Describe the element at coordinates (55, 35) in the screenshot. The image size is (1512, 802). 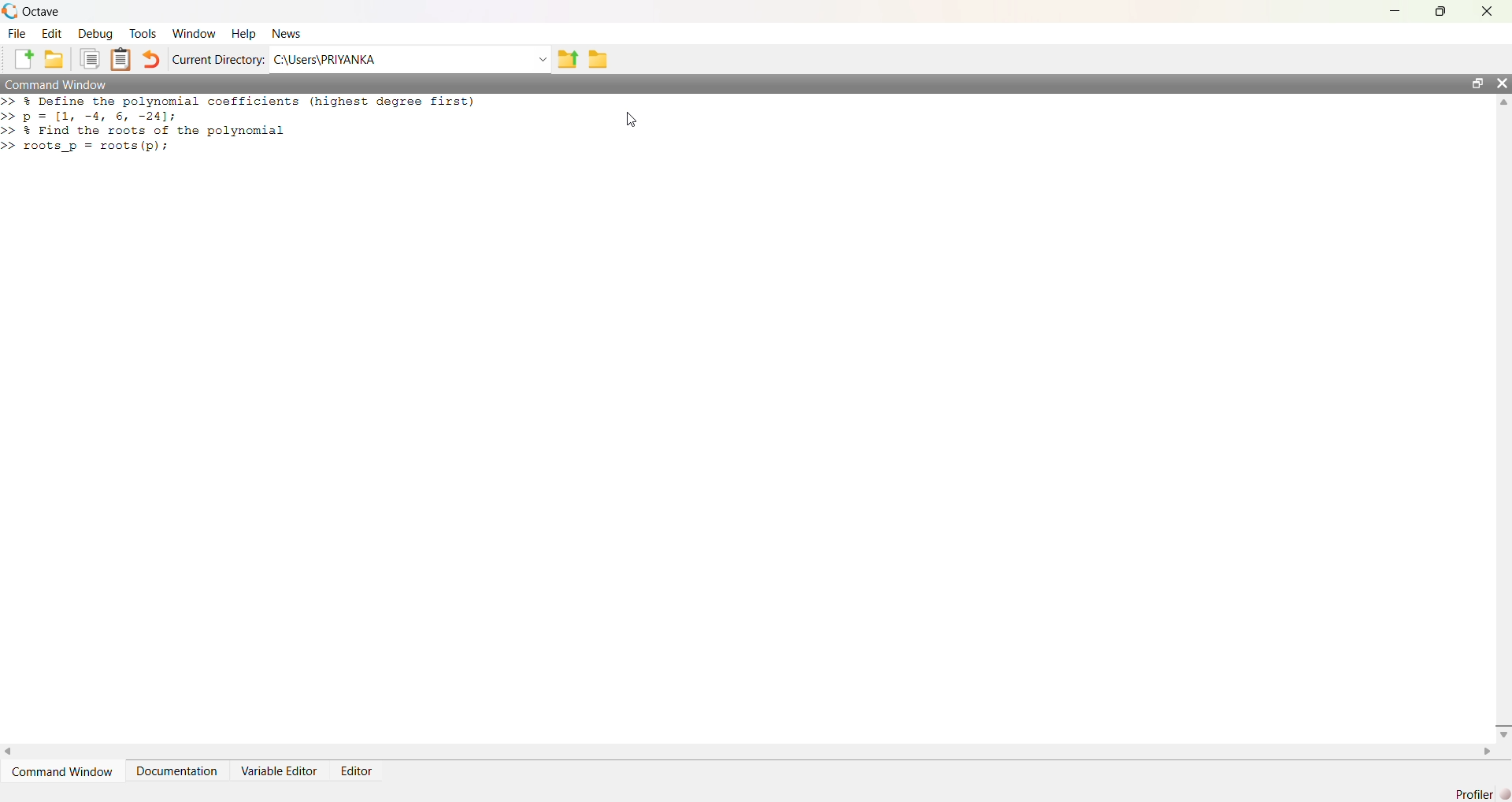
I see `Edit` at that location.